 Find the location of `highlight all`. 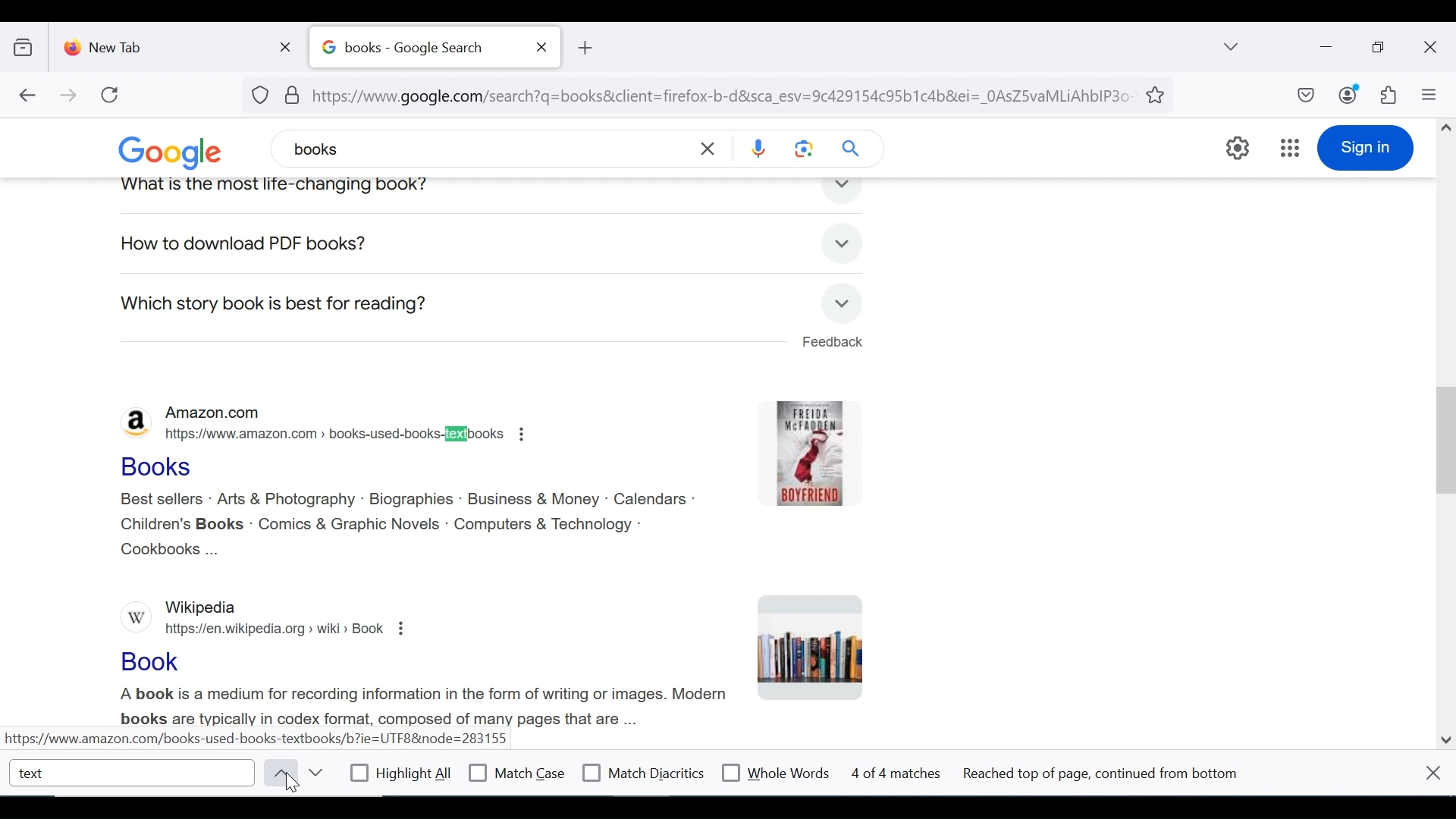

highlight all is located at coordinates (402, 775).